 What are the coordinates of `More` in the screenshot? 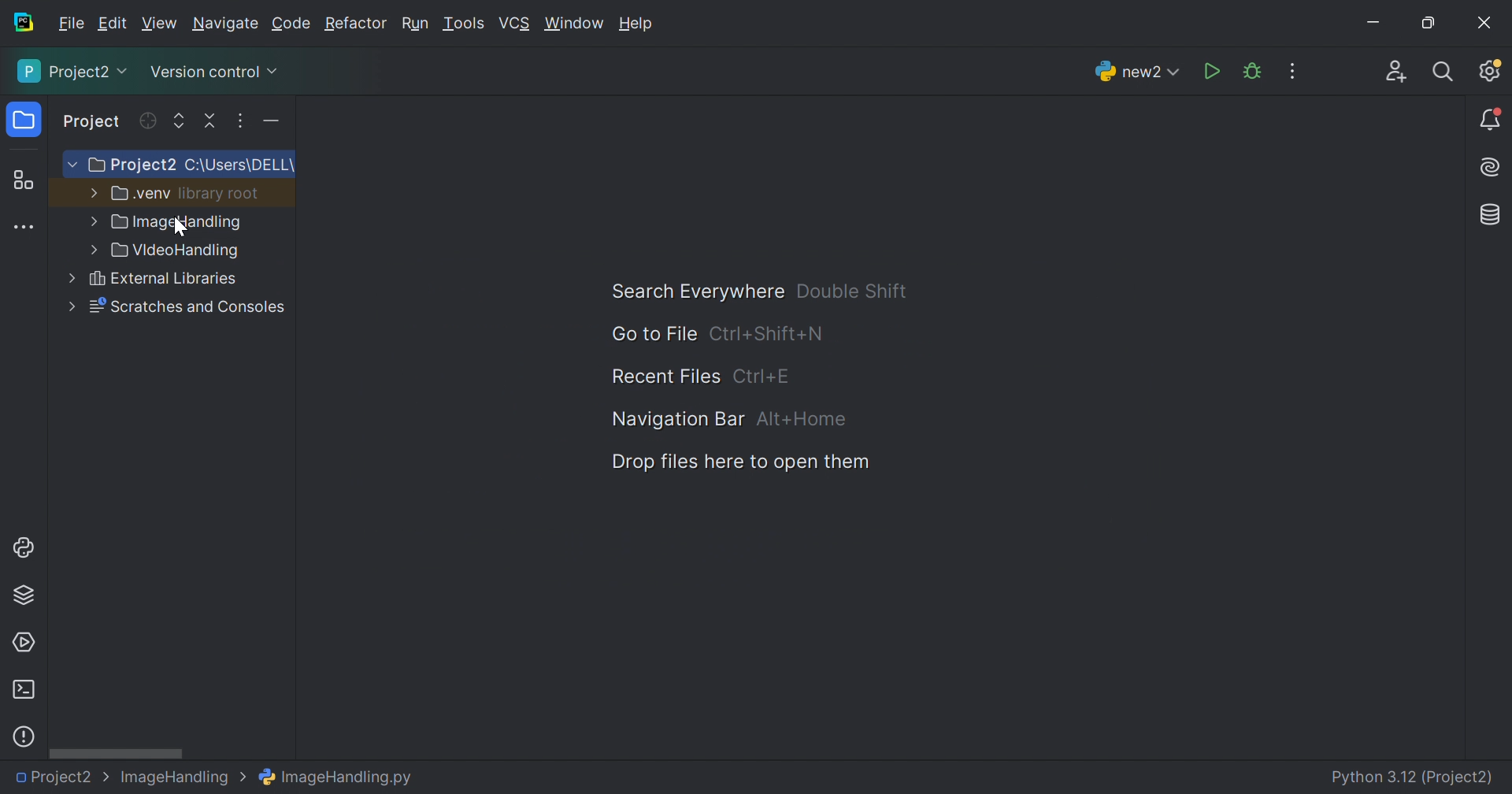 It's located at (69, 165).